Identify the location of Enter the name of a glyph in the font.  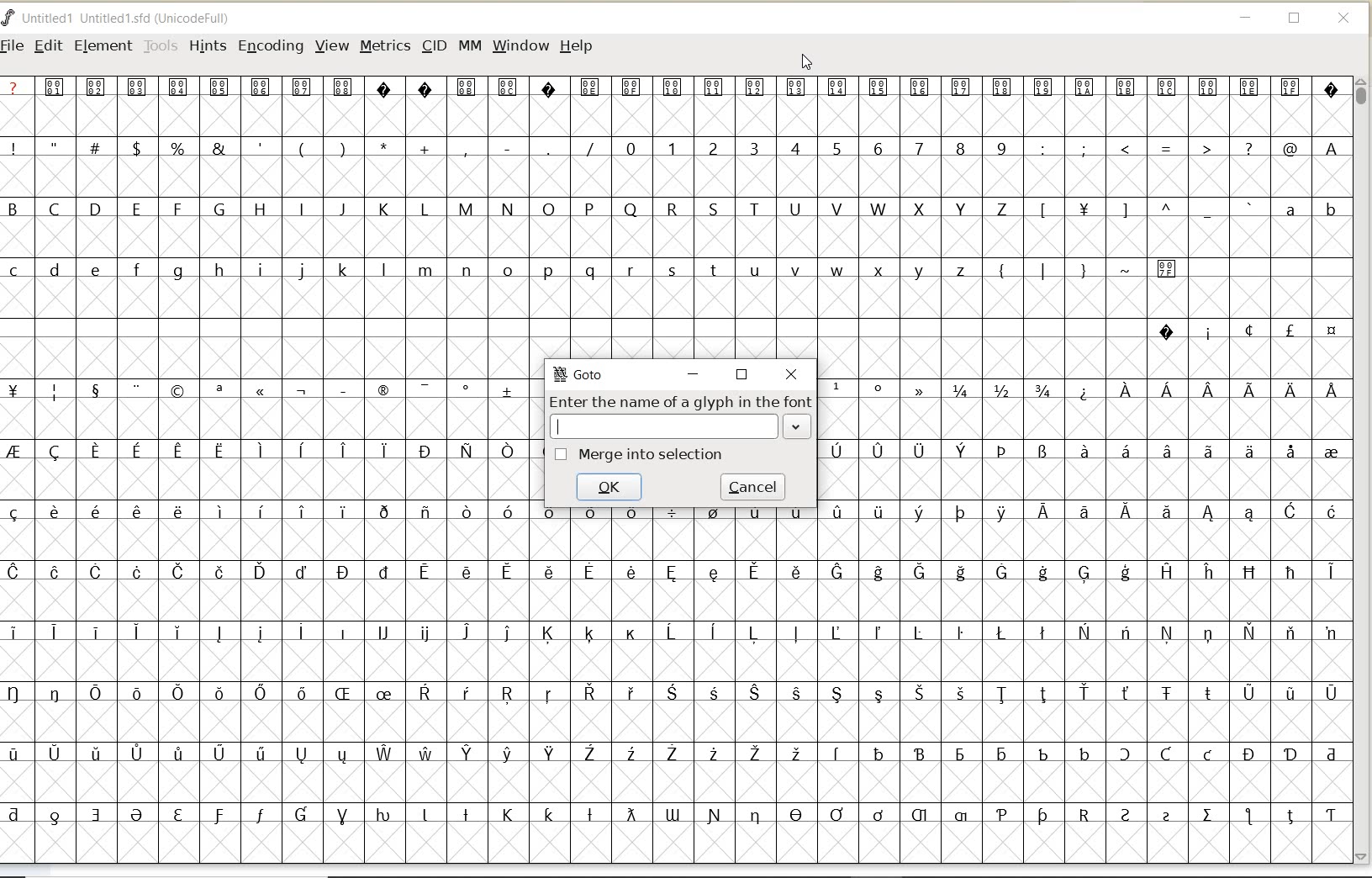
(681, 400).